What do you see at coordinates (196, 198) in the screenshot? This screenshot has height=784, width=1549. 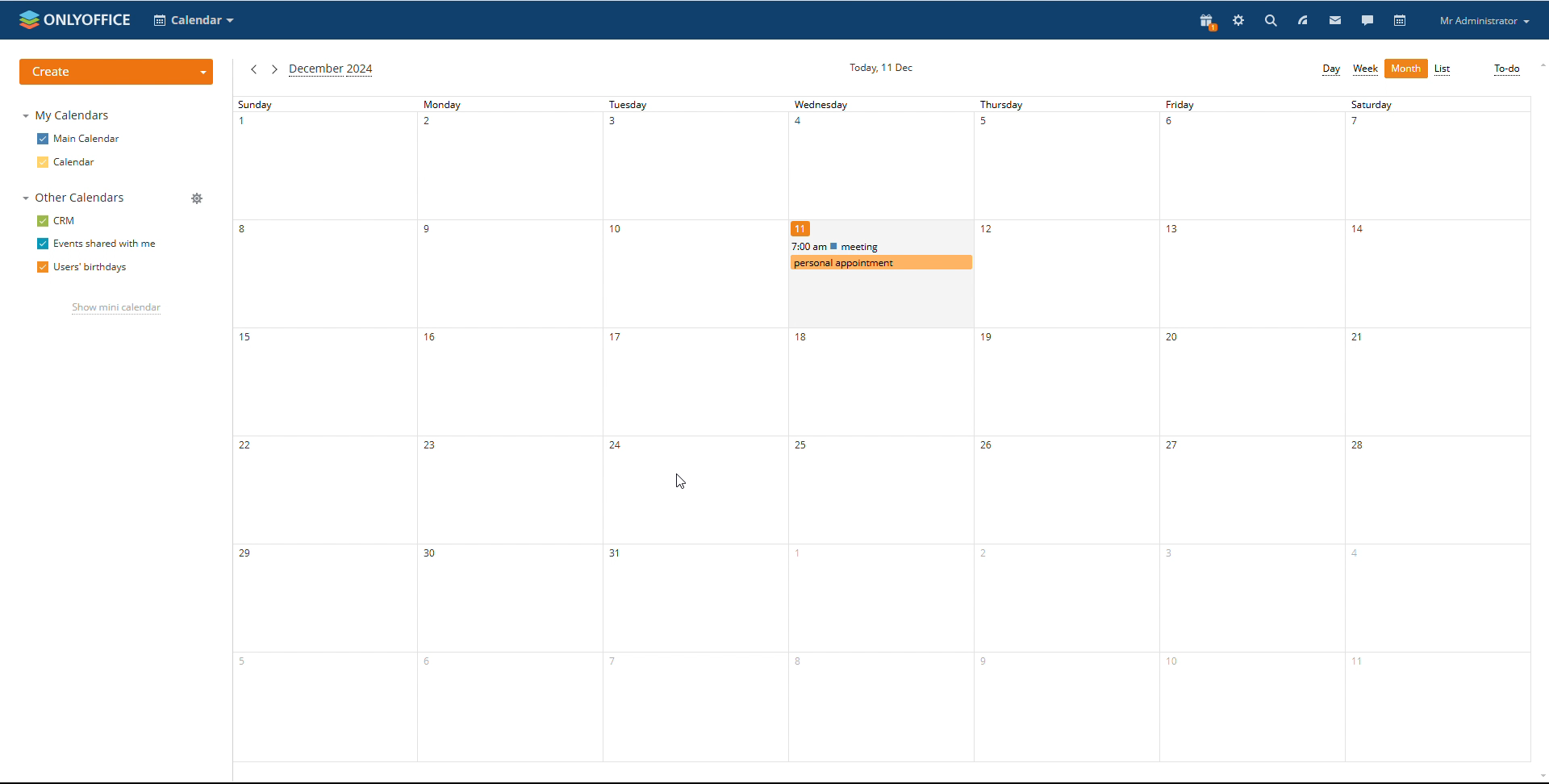 I see `manage` at bounding box center [196, 198].